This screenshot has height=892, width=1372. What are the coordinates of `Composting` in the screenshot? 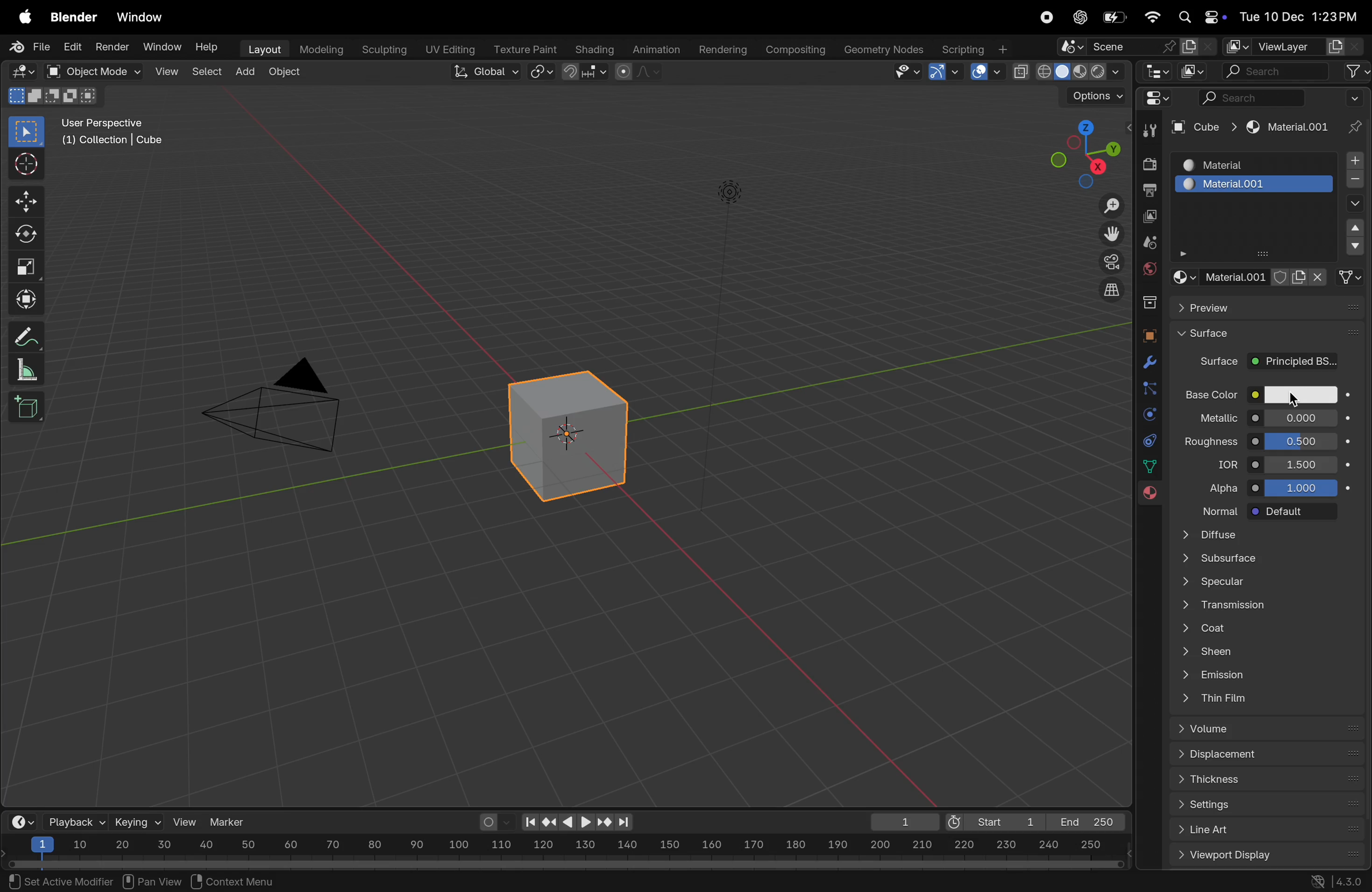 It's located at (796, 50).